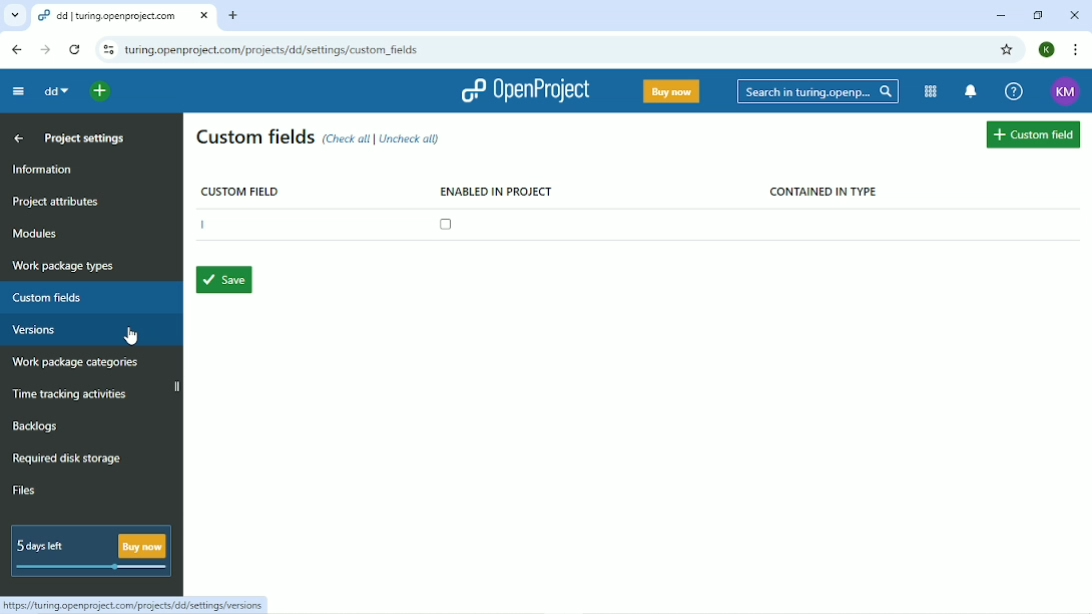  I want to click on Project settings, so click(88, 140).